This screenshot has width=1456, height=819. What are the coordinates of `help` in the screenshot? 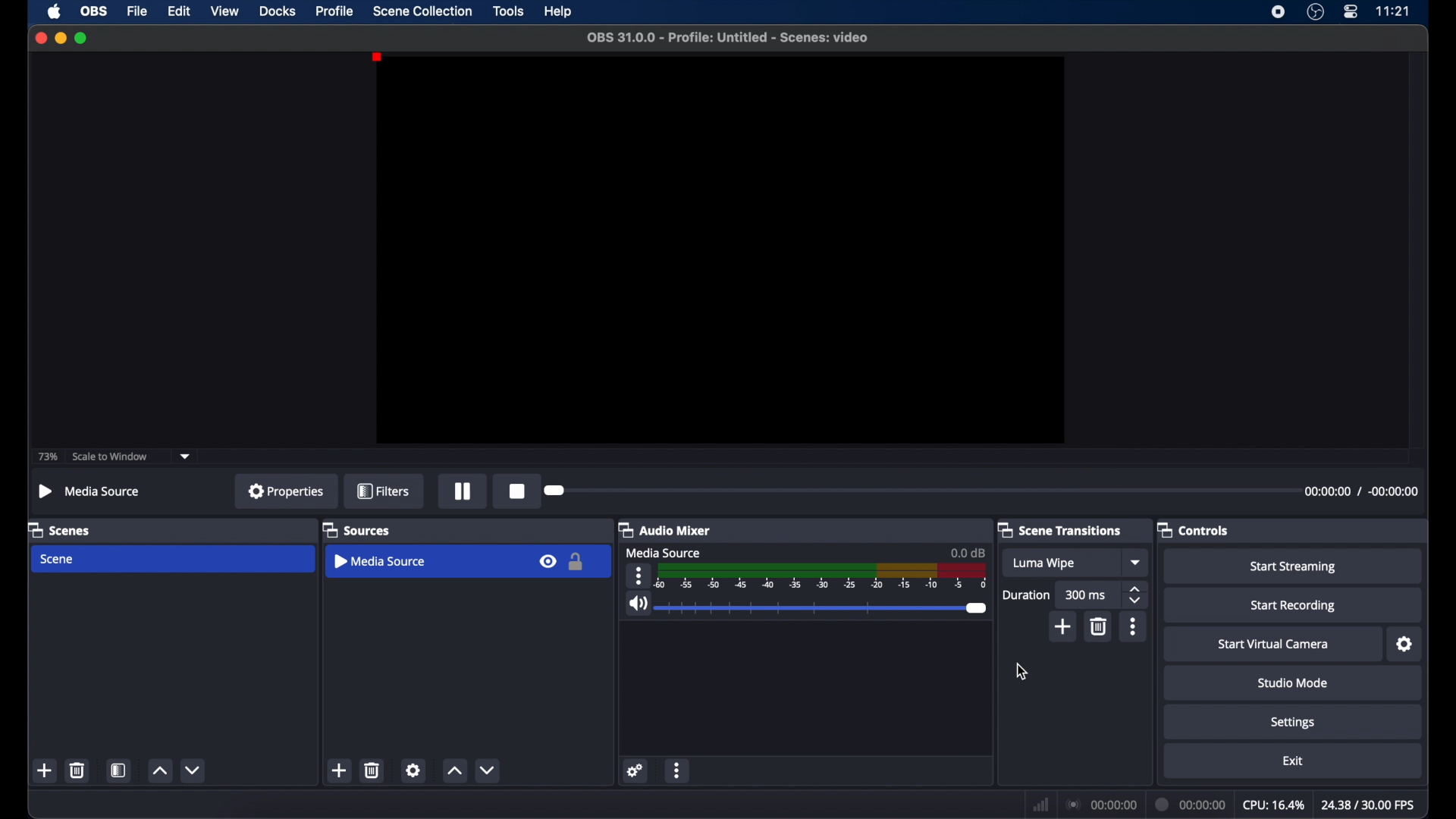 It's located at (560, 11).